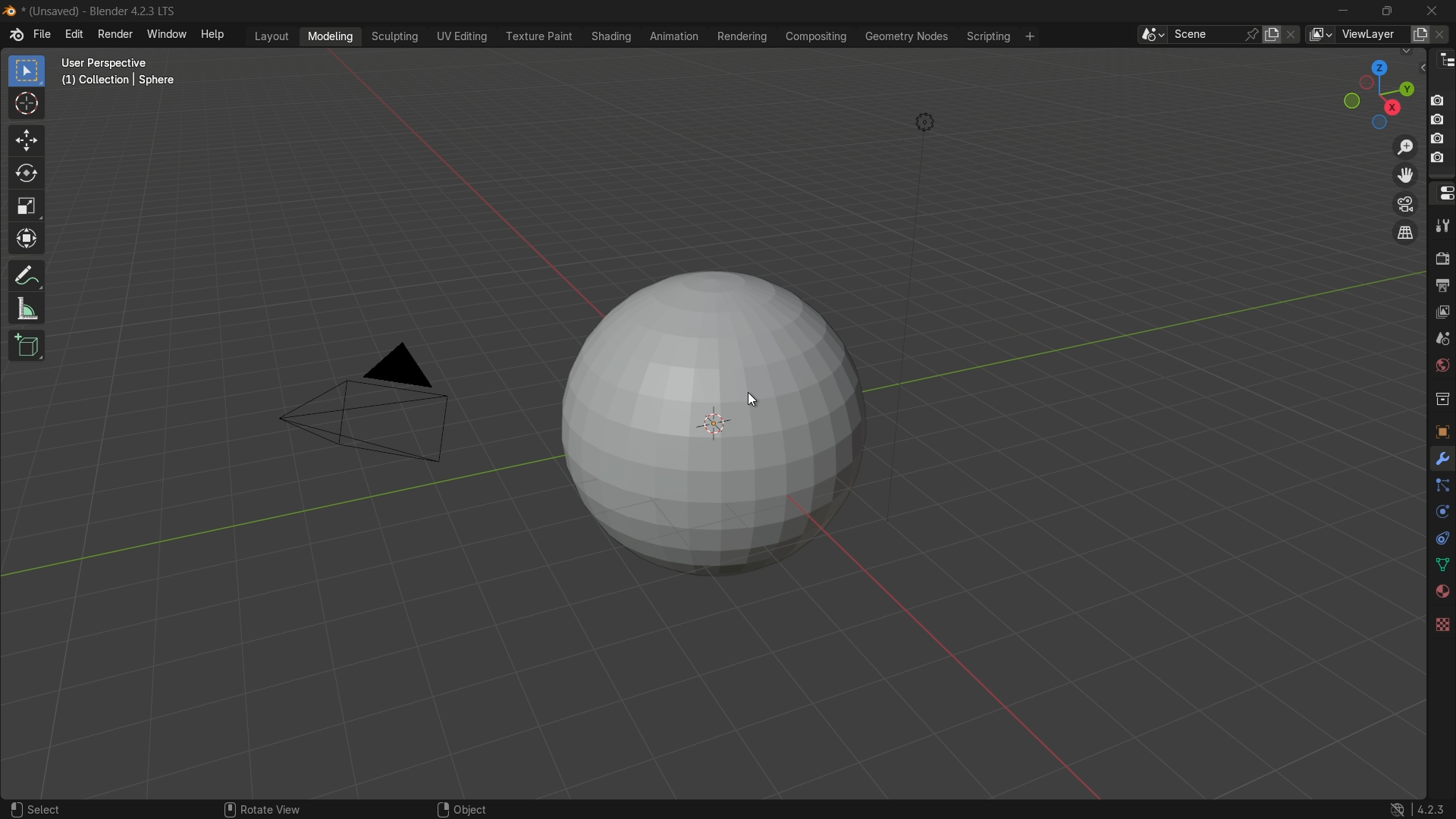 The width and height of the screenshot is (1456, 819). I want to click on rotate or preset viewpoint, so click(1370, 95).